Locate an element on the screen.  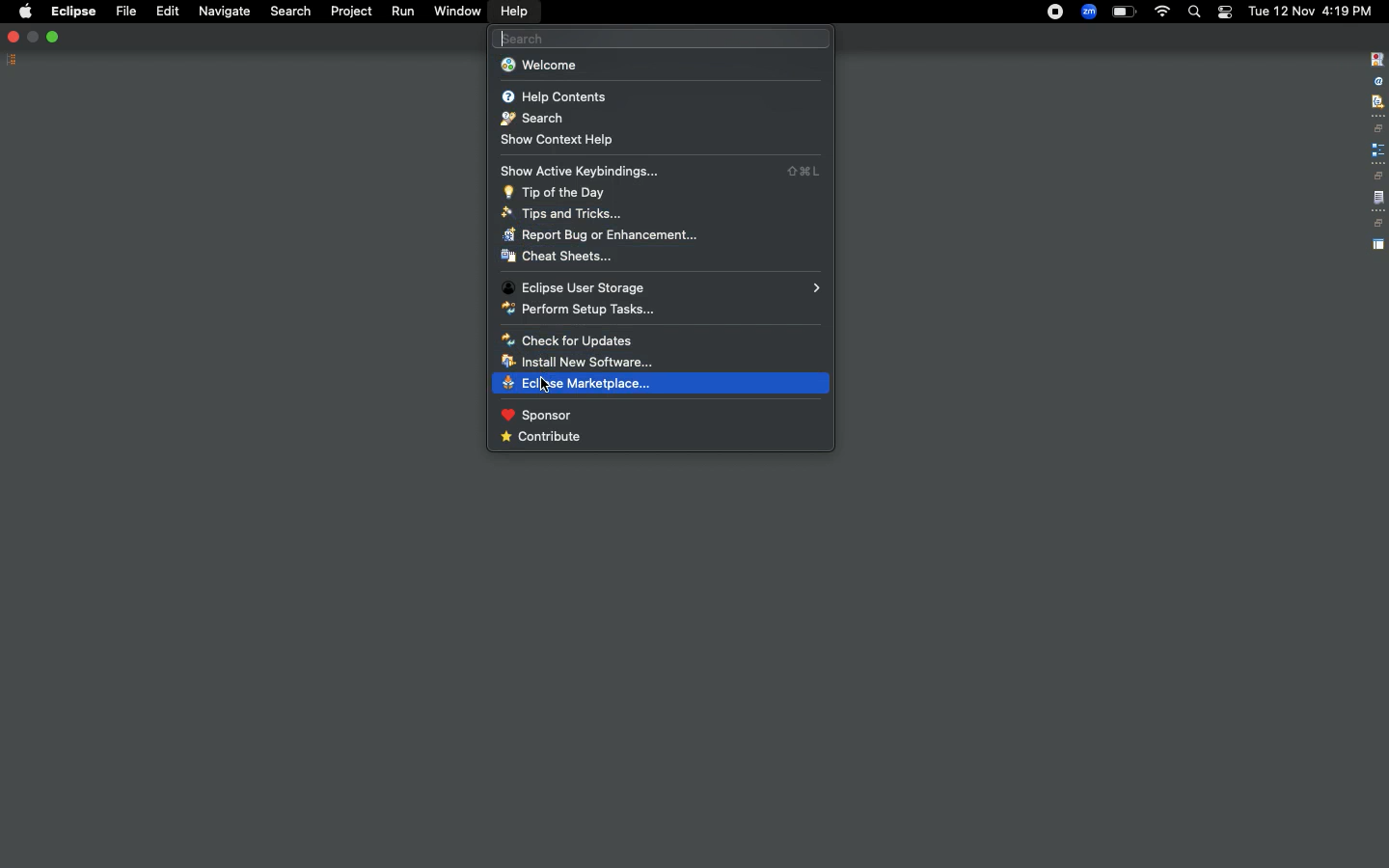
run is located at coordinates (402, 11).